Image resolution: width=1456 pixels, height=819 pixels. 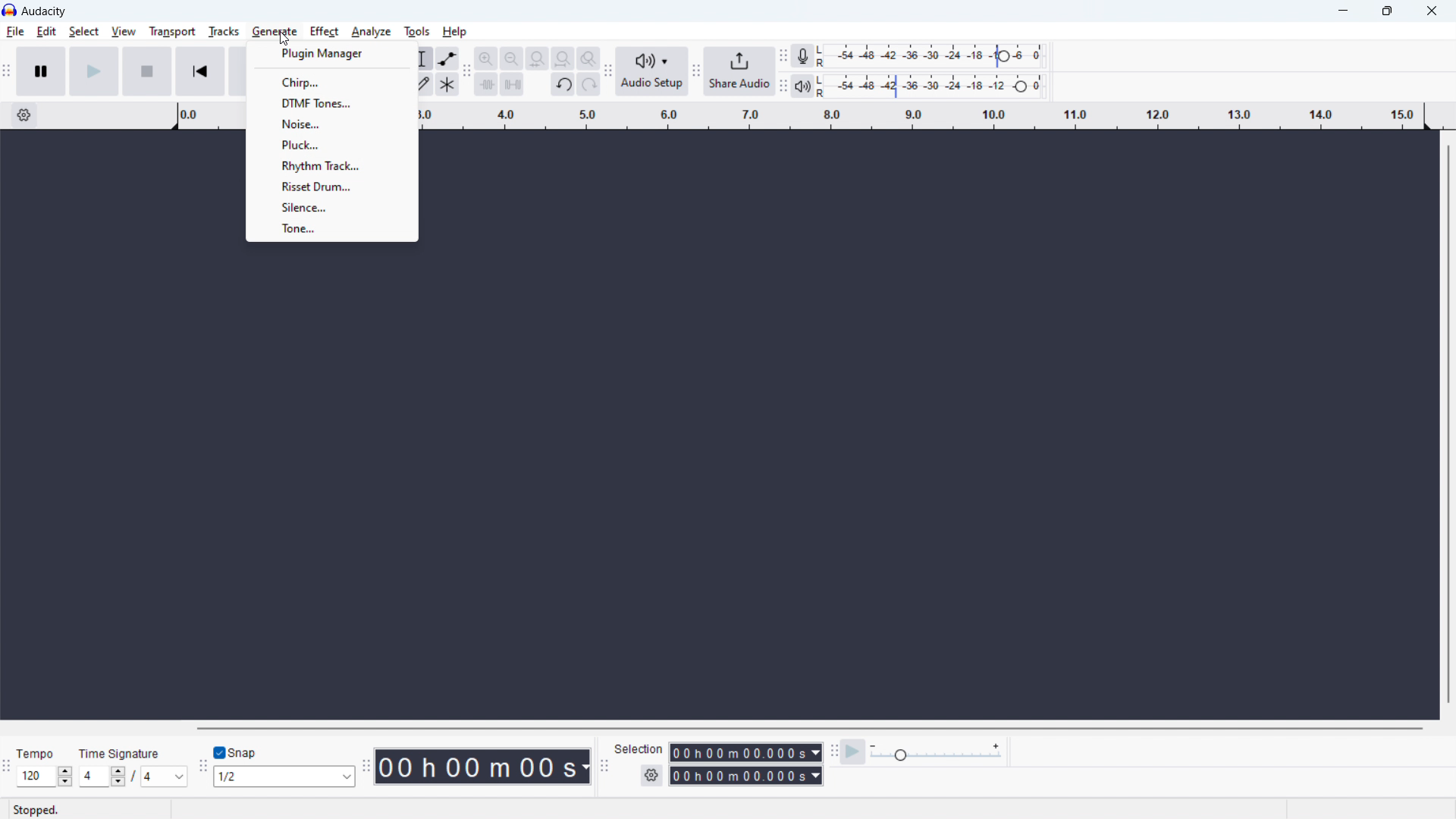 I want to click on L R L R, so click(x=822, y=69).